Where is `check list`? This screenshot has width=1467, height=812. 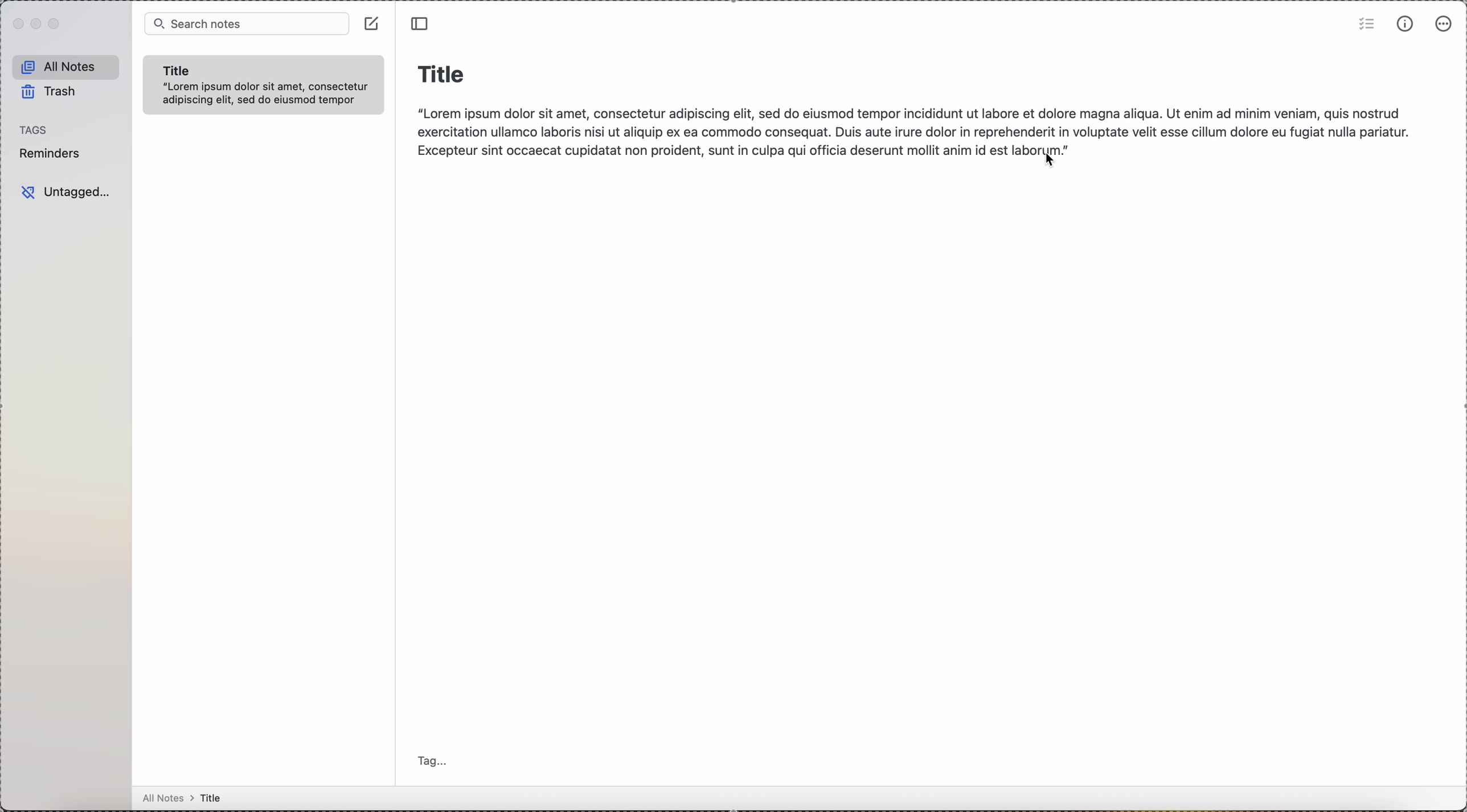 check list is located at coordinates (1362, 24).